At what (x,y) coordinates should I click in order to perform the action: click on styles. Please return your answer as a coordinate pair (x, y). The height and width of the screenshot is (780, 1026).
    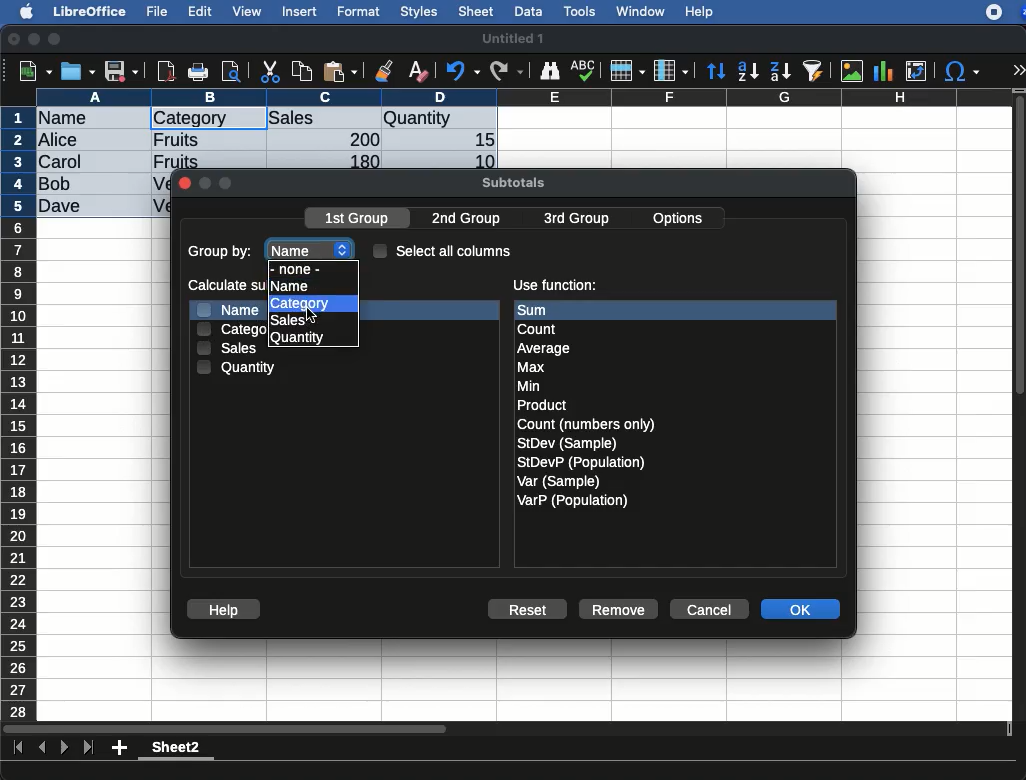
    Looking at the image, I should click on (417, 14).